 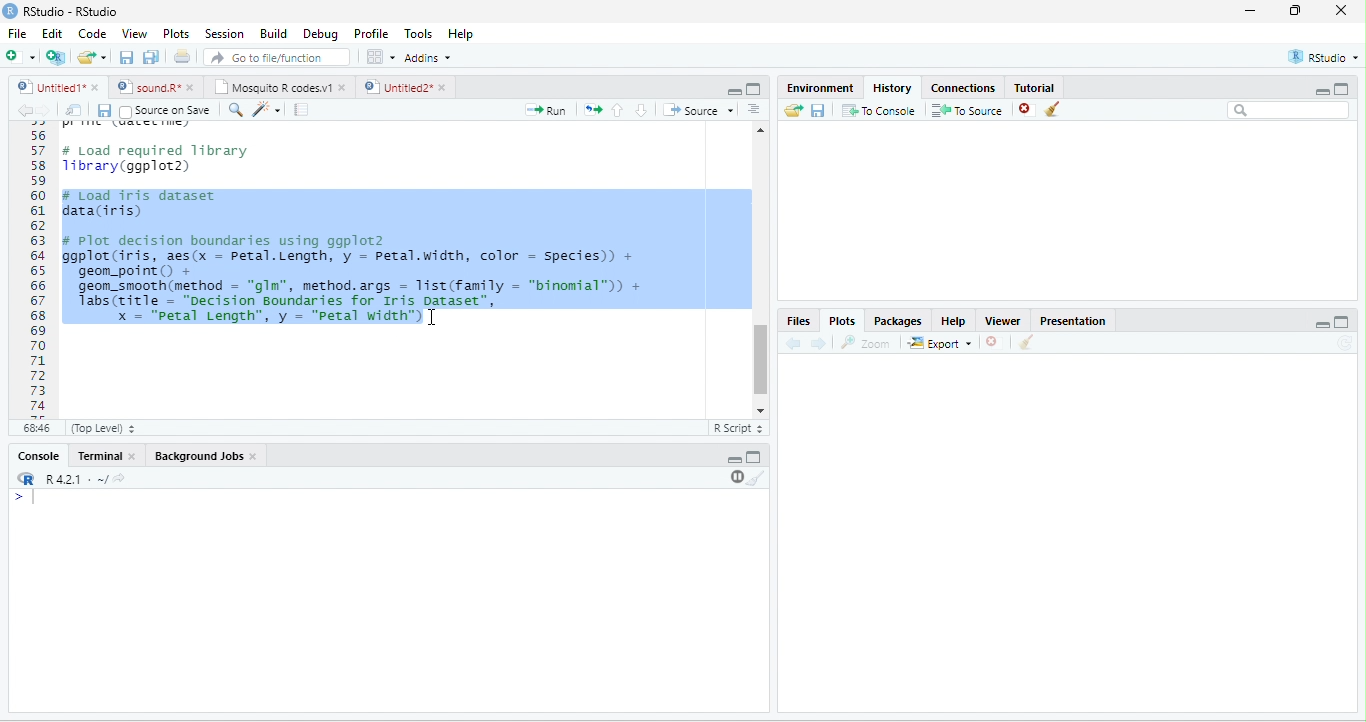 I want to click on minimize, so click(x=1251, y=10).